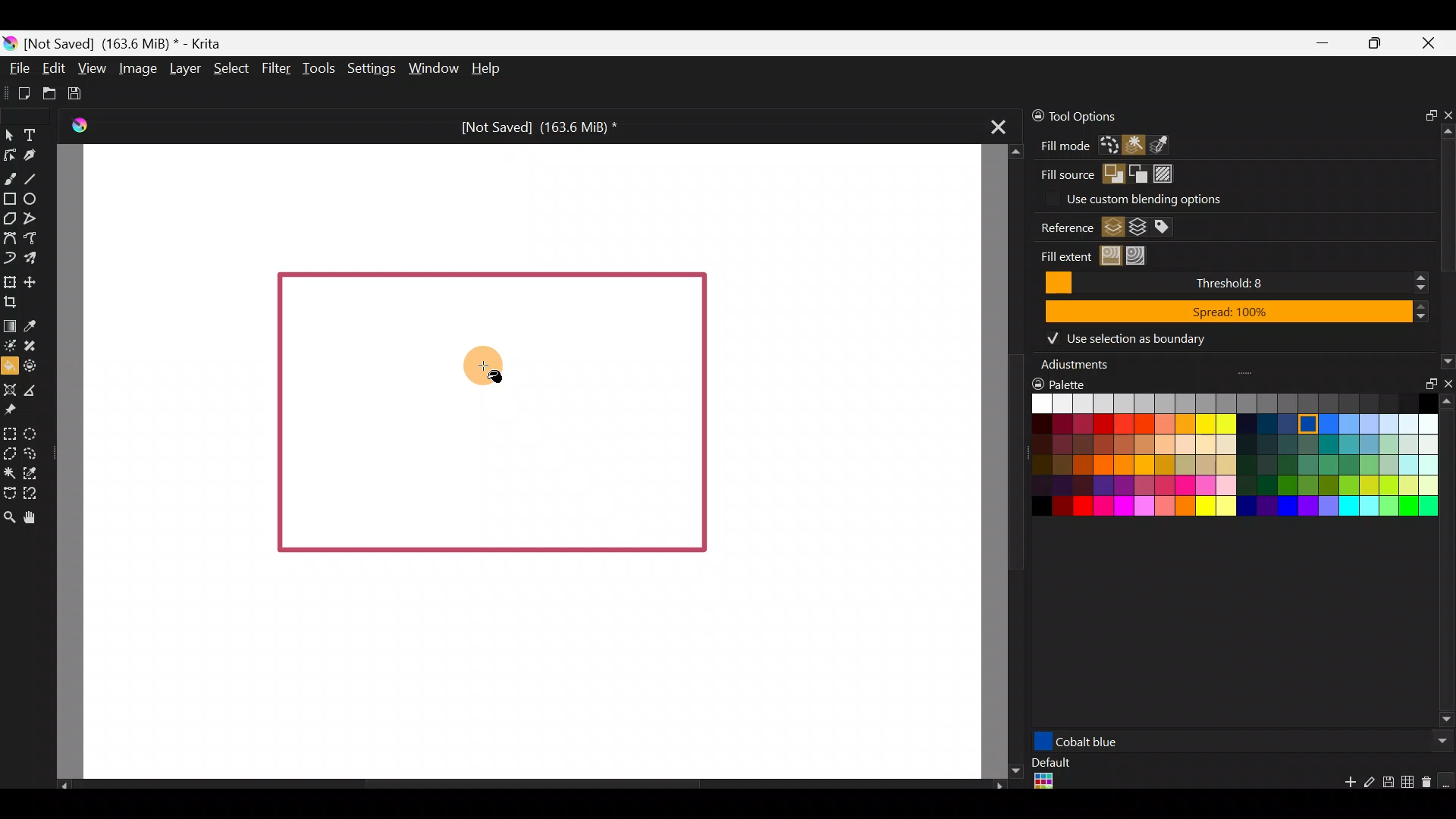  Describe the element at coordinates (32, 452) in the screenshot. I see `Freehand selection tool` at that location.